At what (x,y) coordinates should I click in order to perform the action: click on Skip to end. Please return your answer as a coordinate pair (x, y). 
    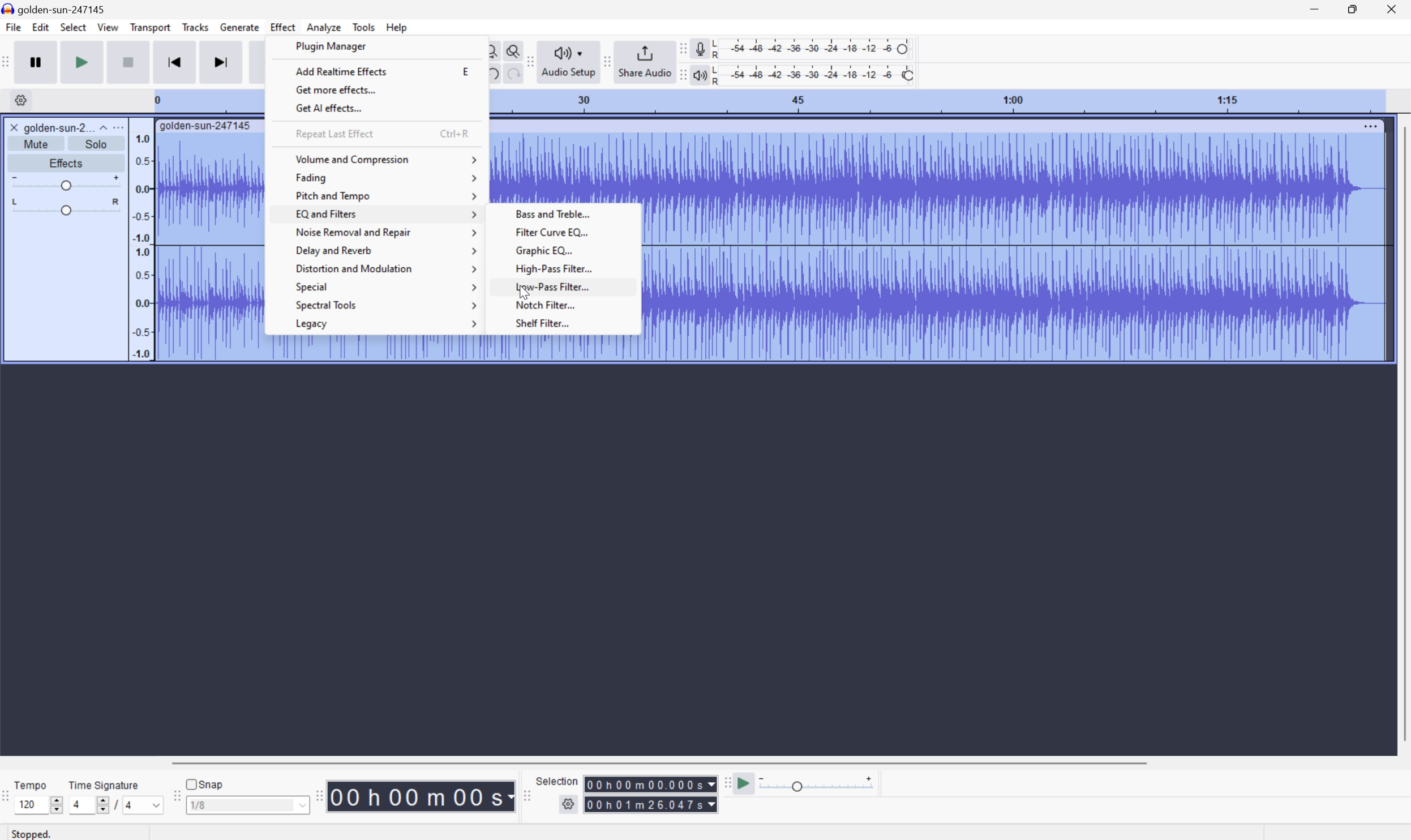
    Looking at the image, I should click on (222, 61).